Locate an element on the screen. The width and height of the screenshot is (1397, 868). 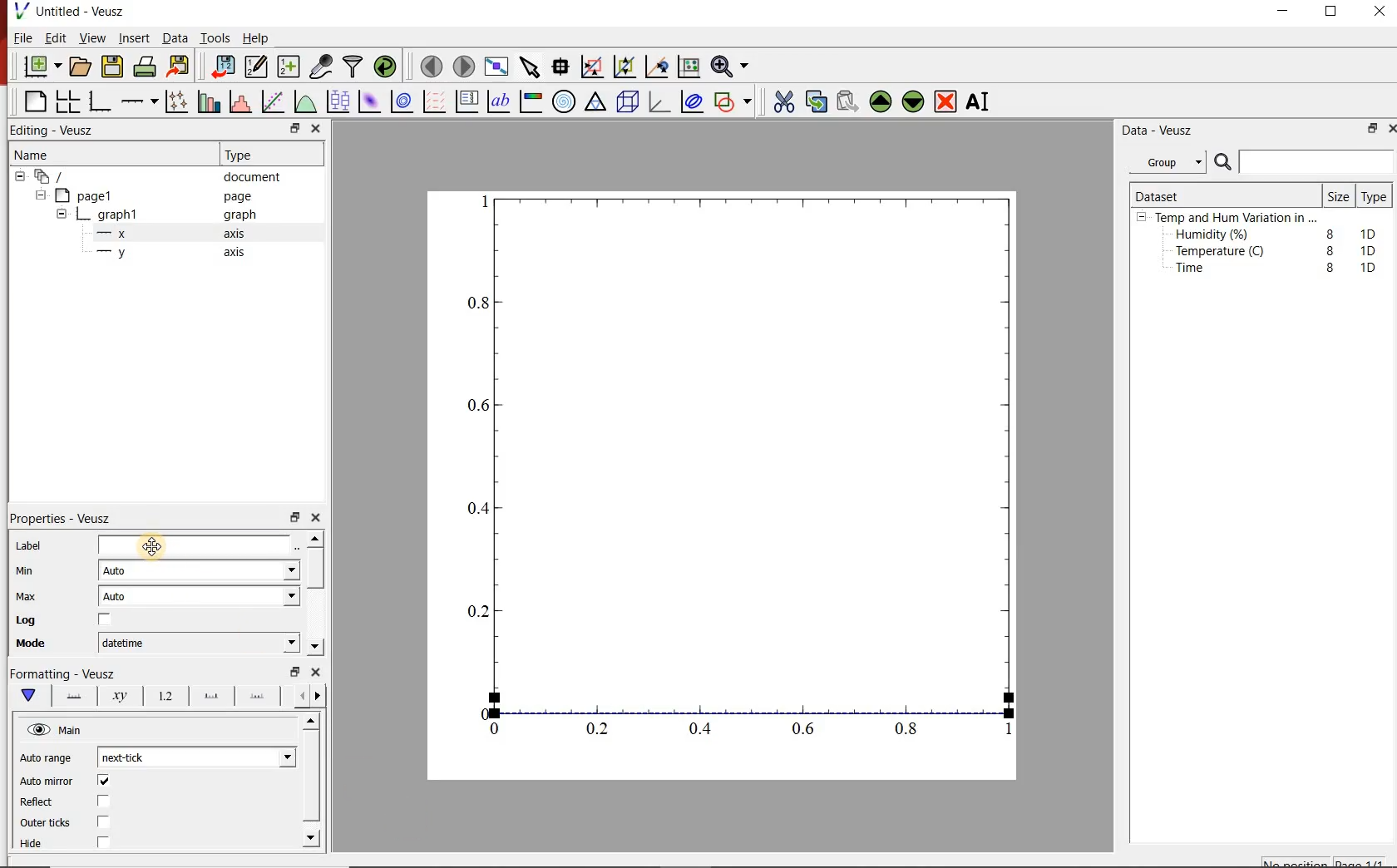
8 is located at coordinates (1330, 268).